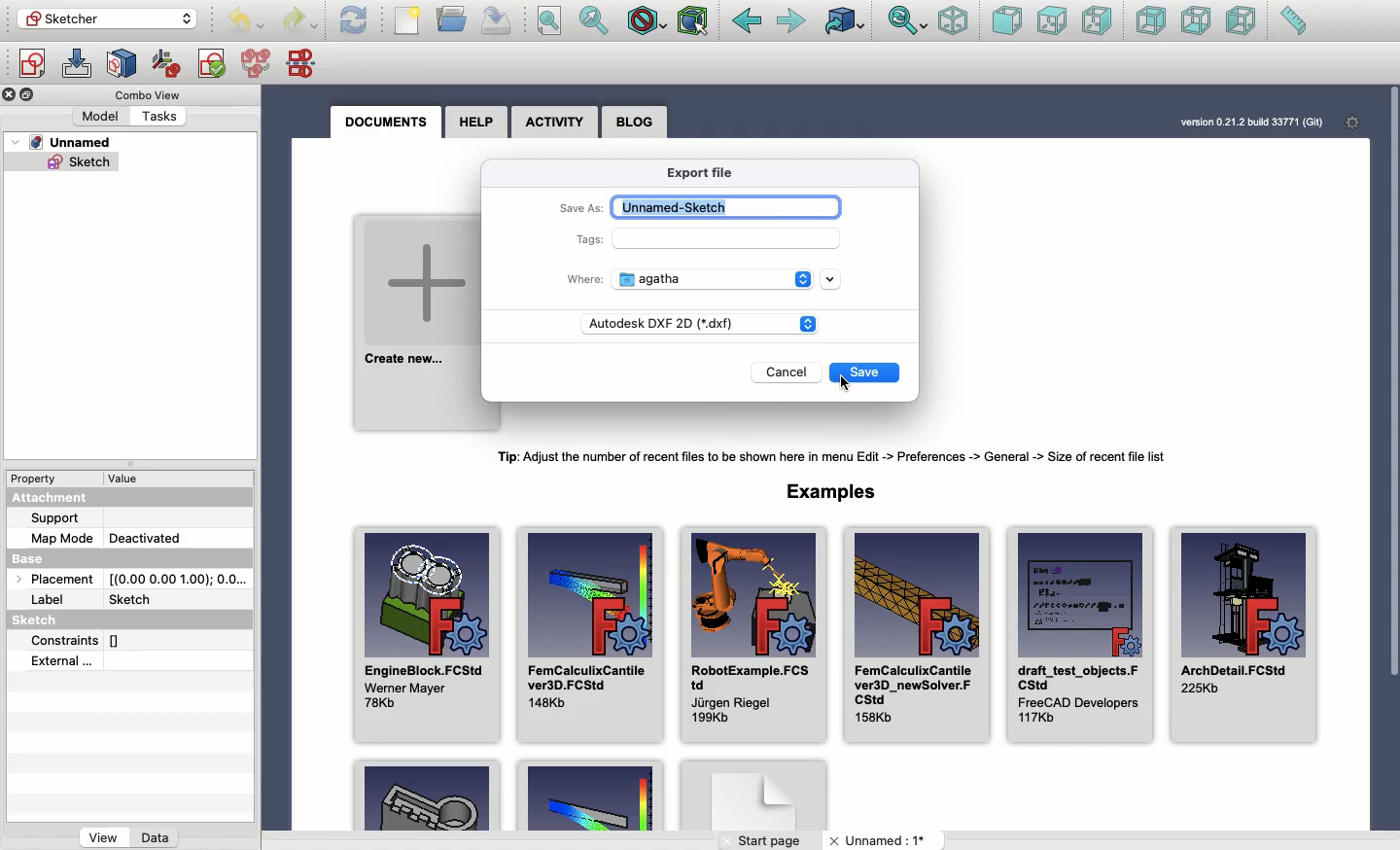 This screenshot has width=1400, height=850. I want to click on Save as, so click(581, 210).